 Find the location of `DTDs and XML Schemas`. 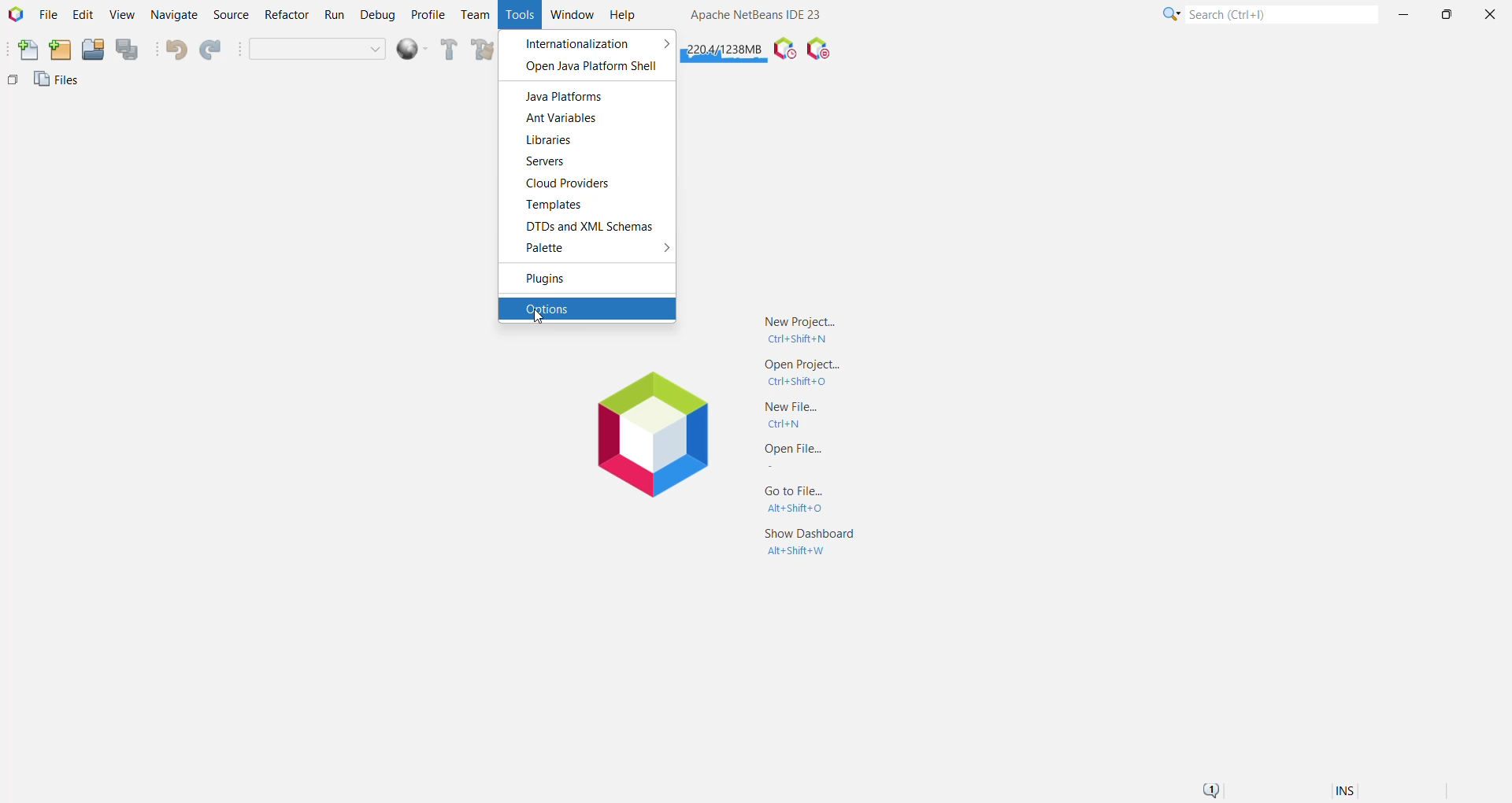

DTDs and XML Schemas is located at coordinates (591, 227).